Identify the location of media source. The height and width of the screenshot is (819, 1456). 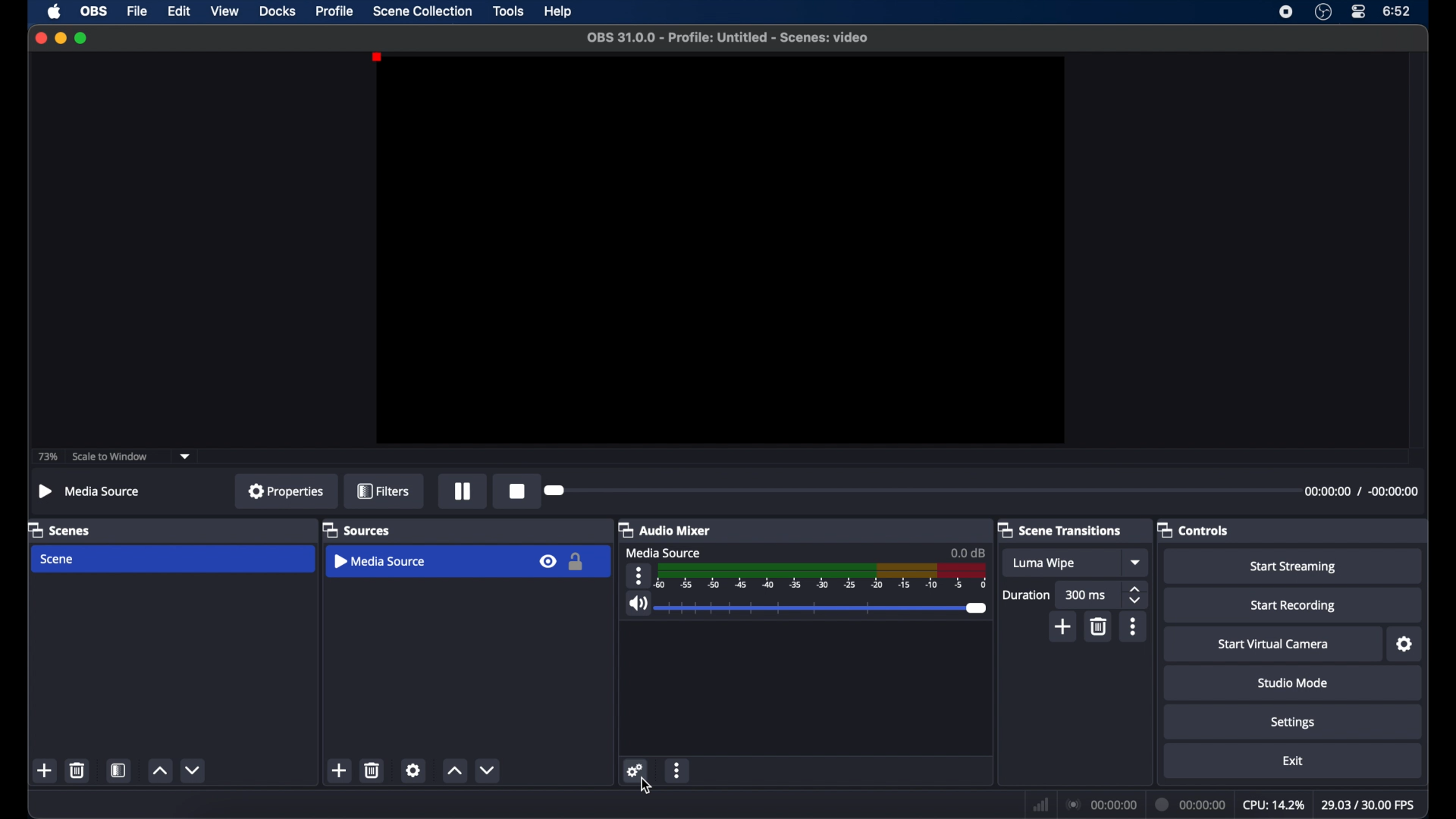
(90, 491).